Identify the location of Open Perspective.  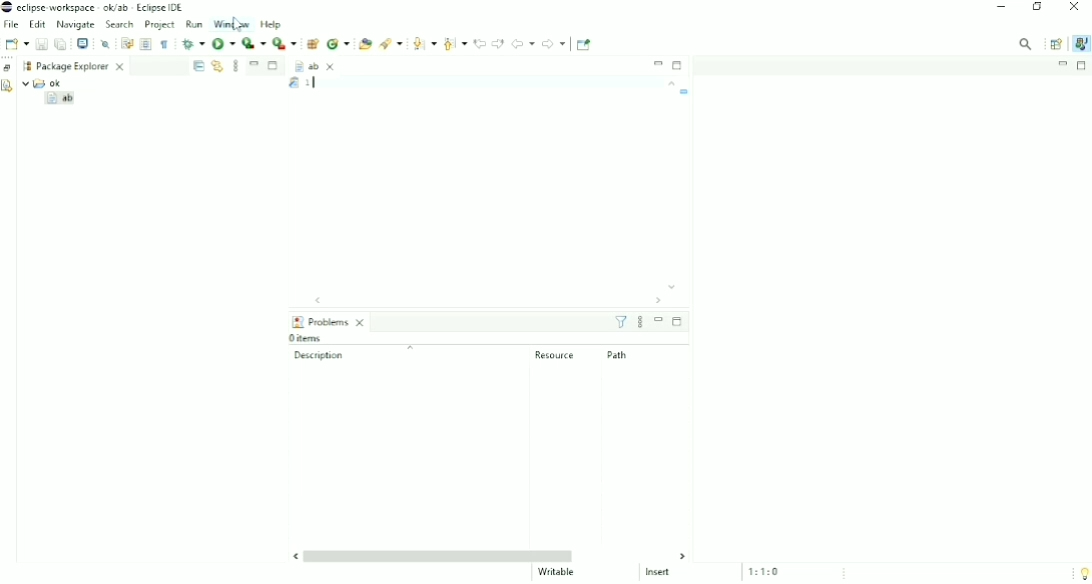
(1055, 44).